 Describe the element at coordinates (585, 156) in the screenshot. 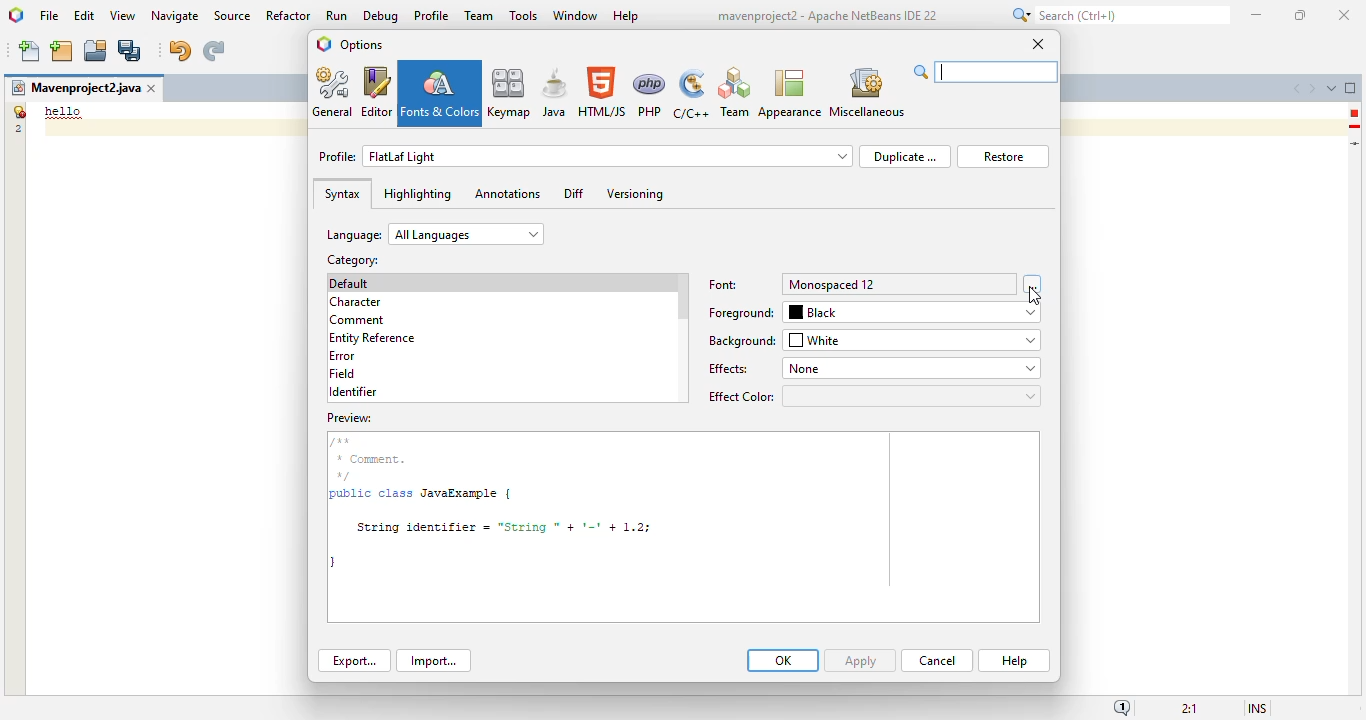

I see `profile: FlatLaf light` at that location.